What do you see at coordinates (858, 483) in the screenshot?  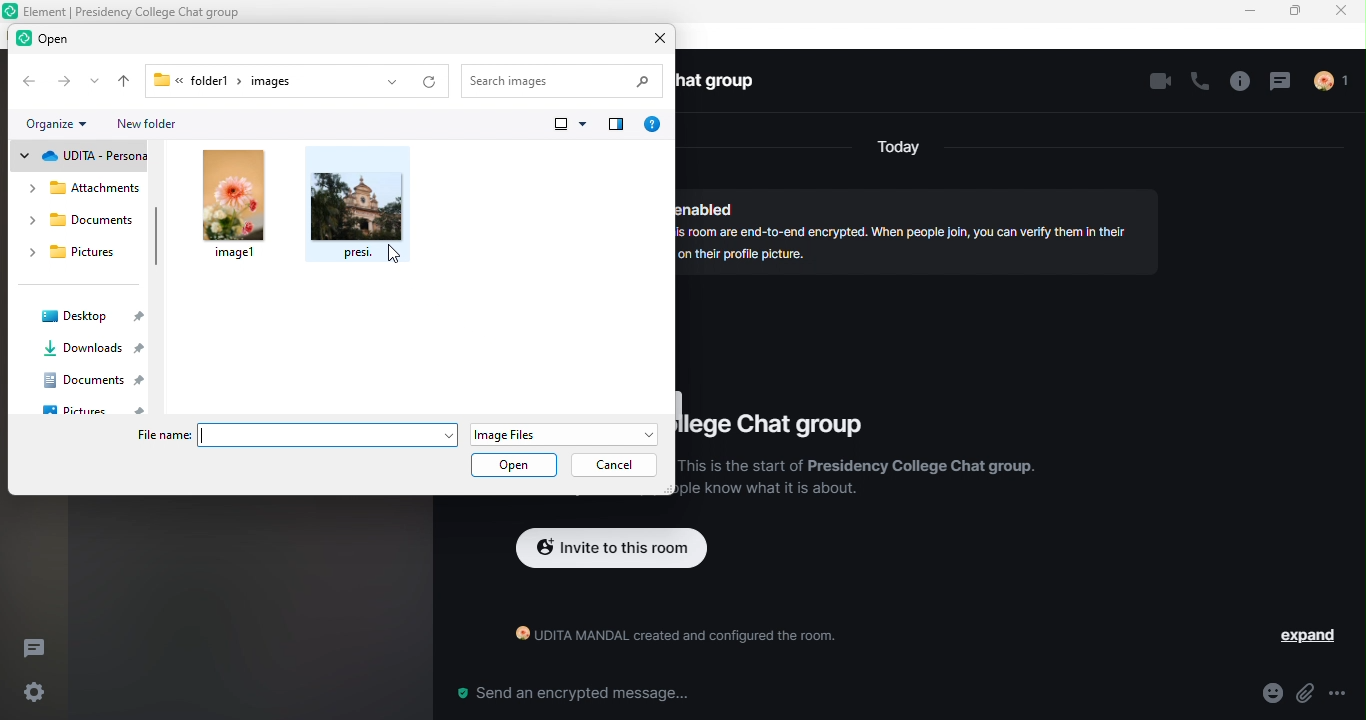 I see `You created this room. This is the start of Presidency College of Chat group.` at bounding box center [858, 483].